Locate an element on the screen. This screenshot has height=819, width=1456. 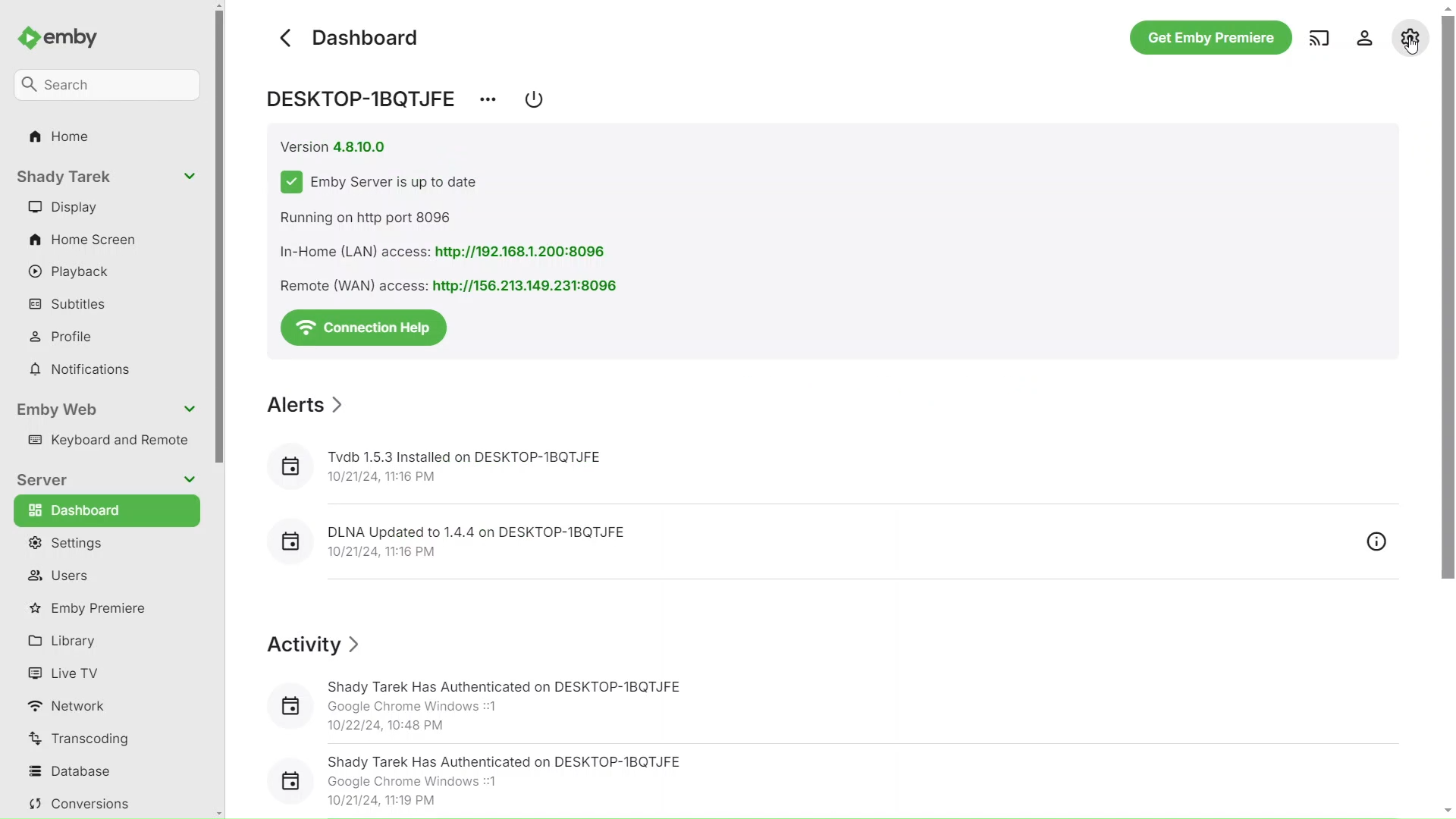
back is located at coordinates (285, 35).